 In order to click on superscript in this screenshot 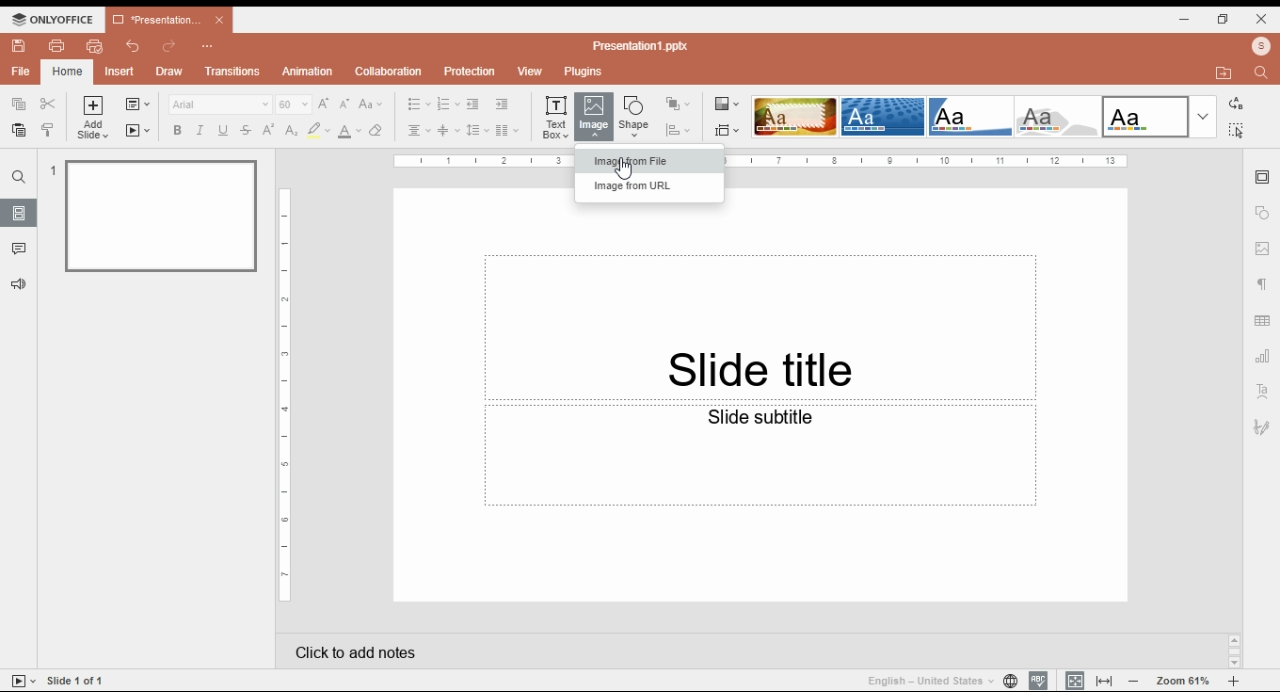, I will do `click(269, 129)`.